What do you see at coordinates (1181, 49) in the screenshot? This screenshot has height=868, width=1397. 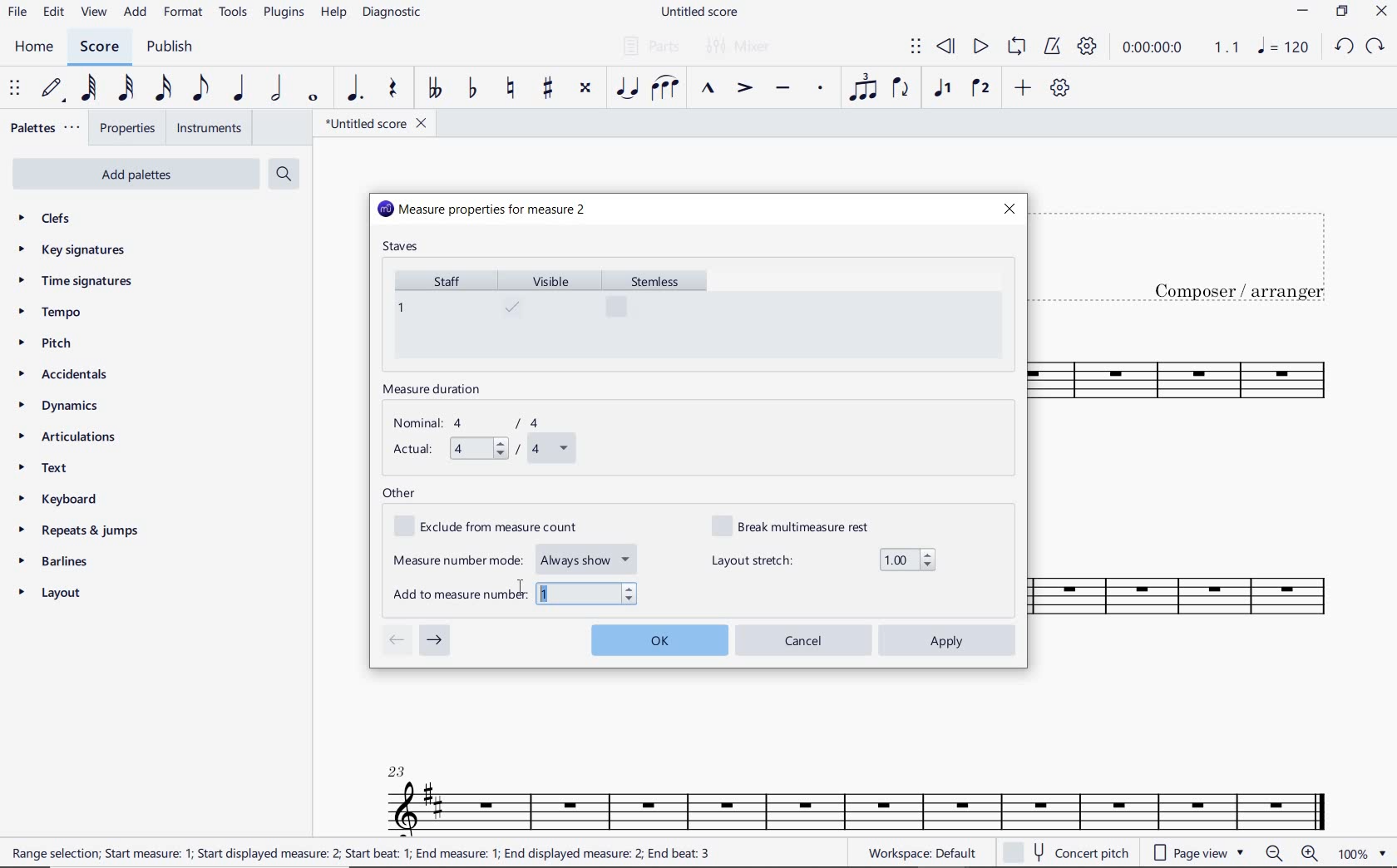 I see `PLAY SPEED` at bounding box center [1181, 49].